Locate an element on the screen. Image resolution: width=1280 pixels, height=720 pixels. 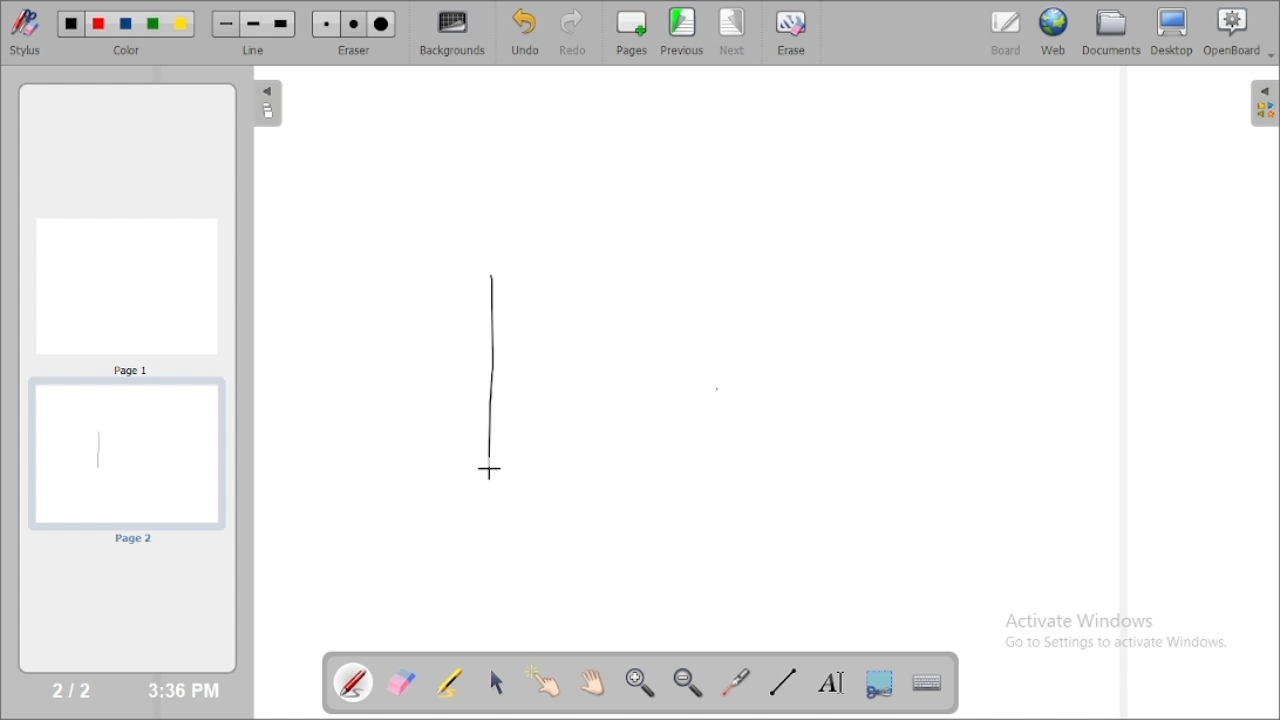
Color 4 is located at coordinates (153, 25).